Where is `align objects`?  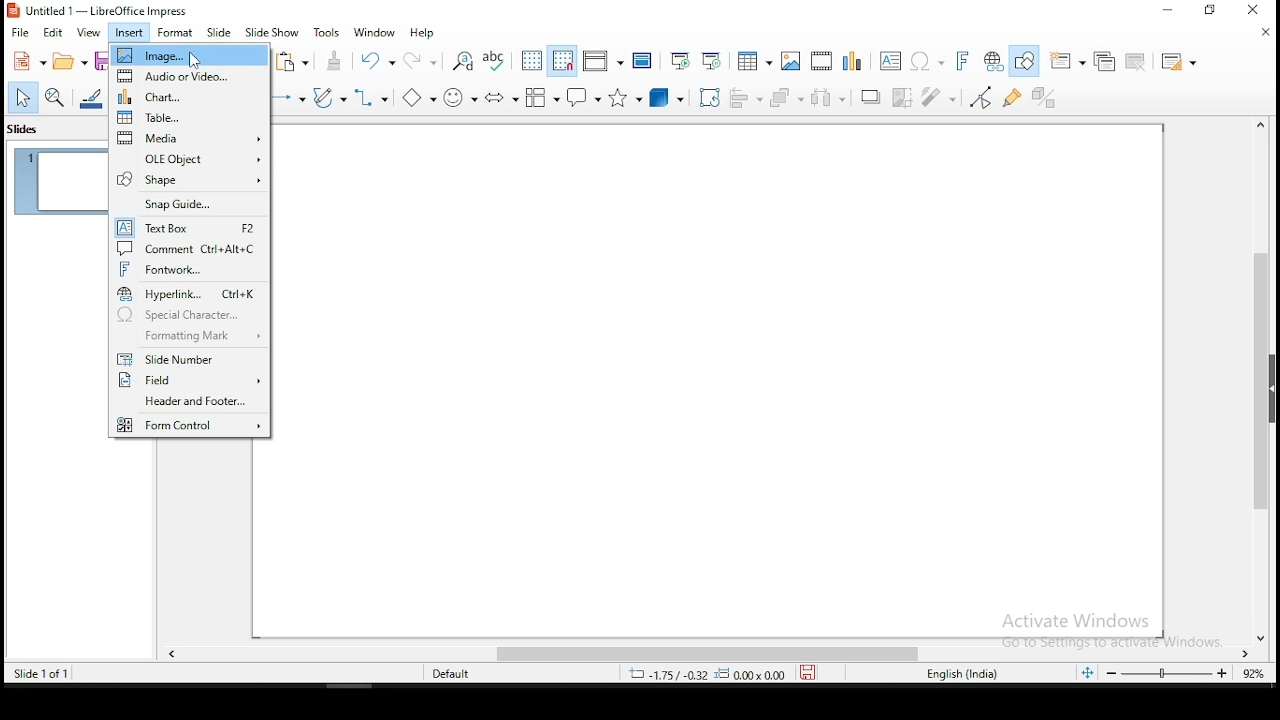
align objects is located at coordinates (745, 95).